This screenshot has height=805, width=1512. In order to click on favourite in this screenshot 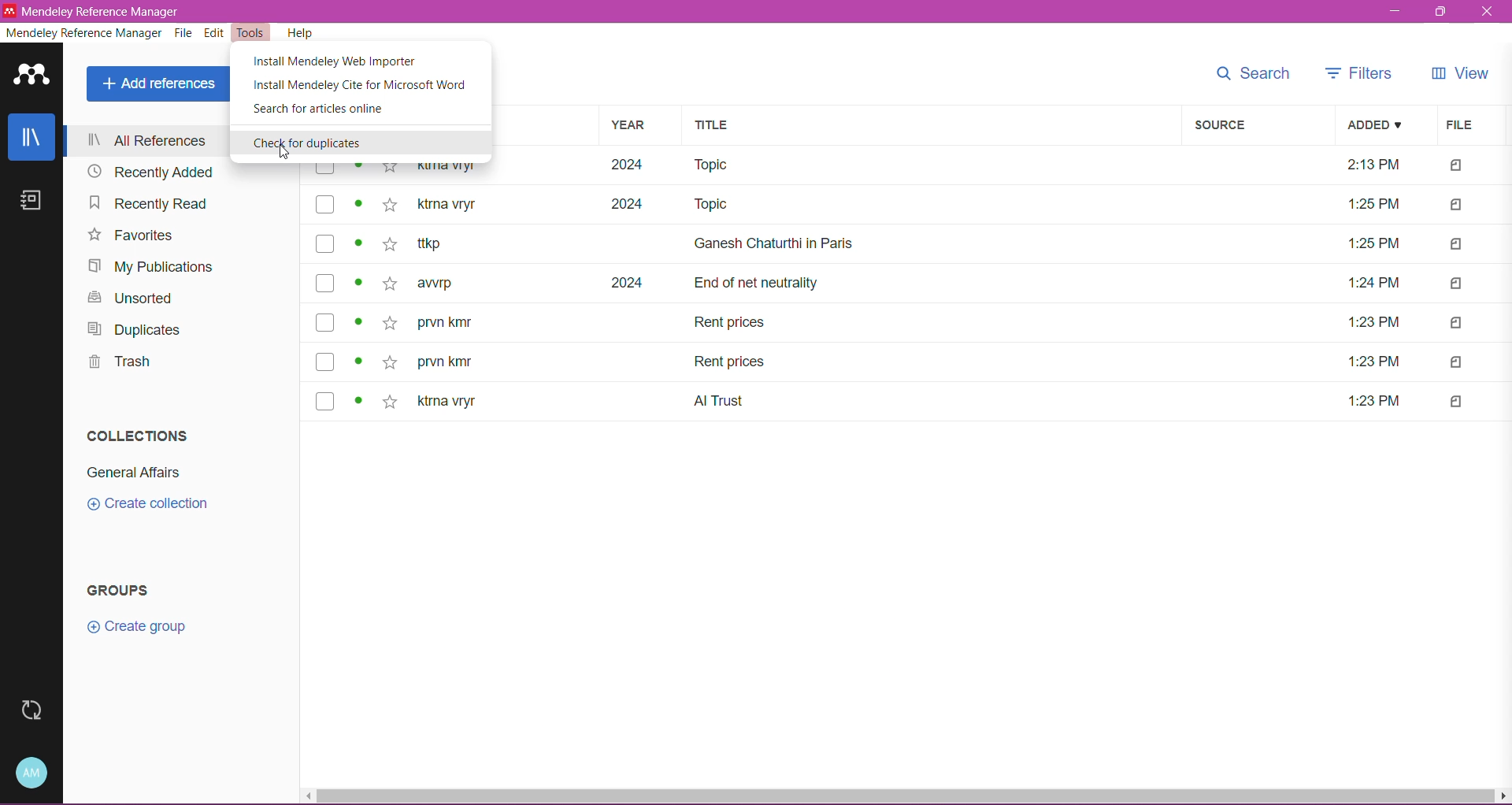, I will do `click(391, 402)`.